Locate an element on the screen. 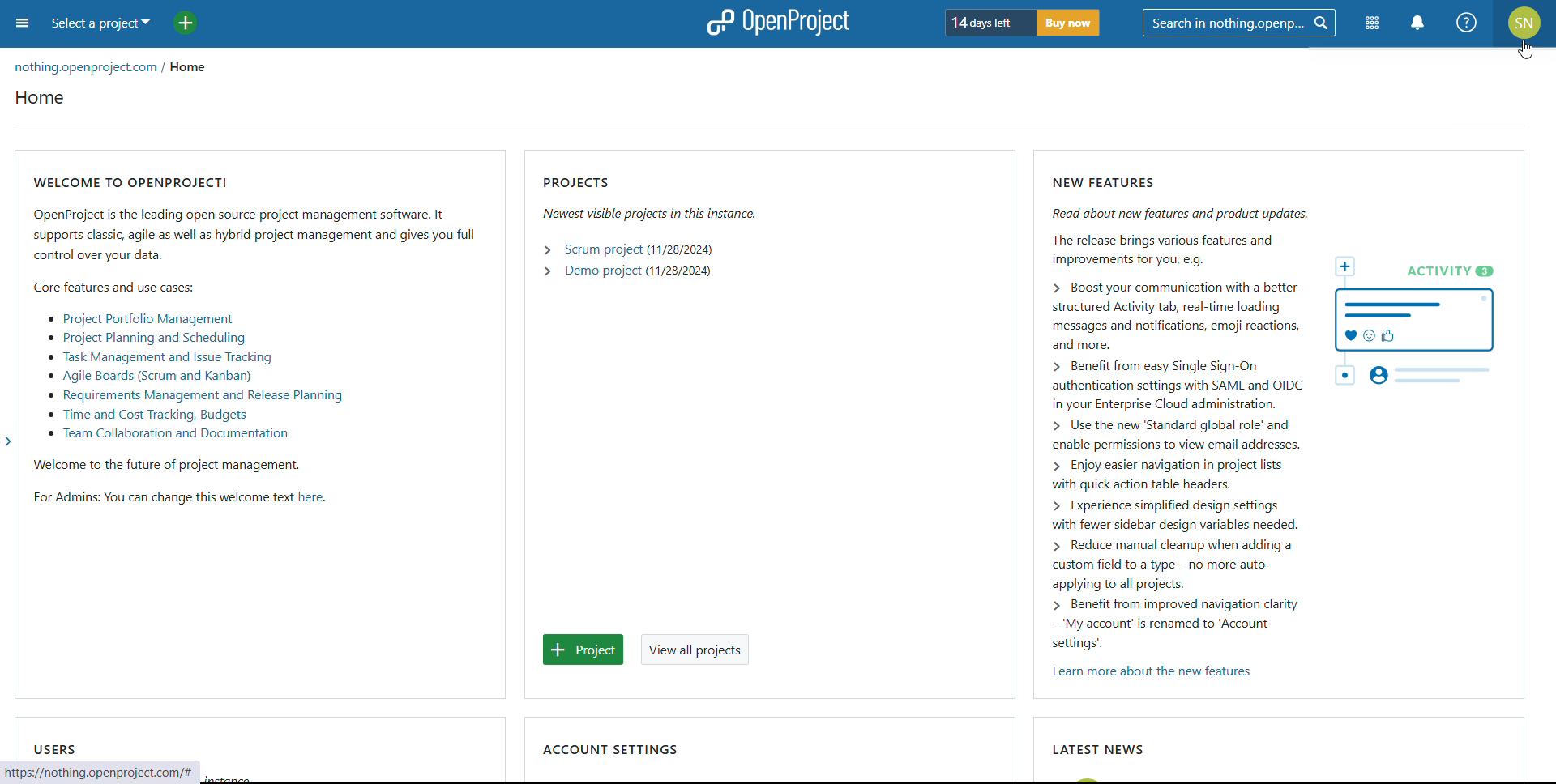 Image resolution: width=1556 pixels, height=784 pixels. latest news is located at coordinates (1096, 749).